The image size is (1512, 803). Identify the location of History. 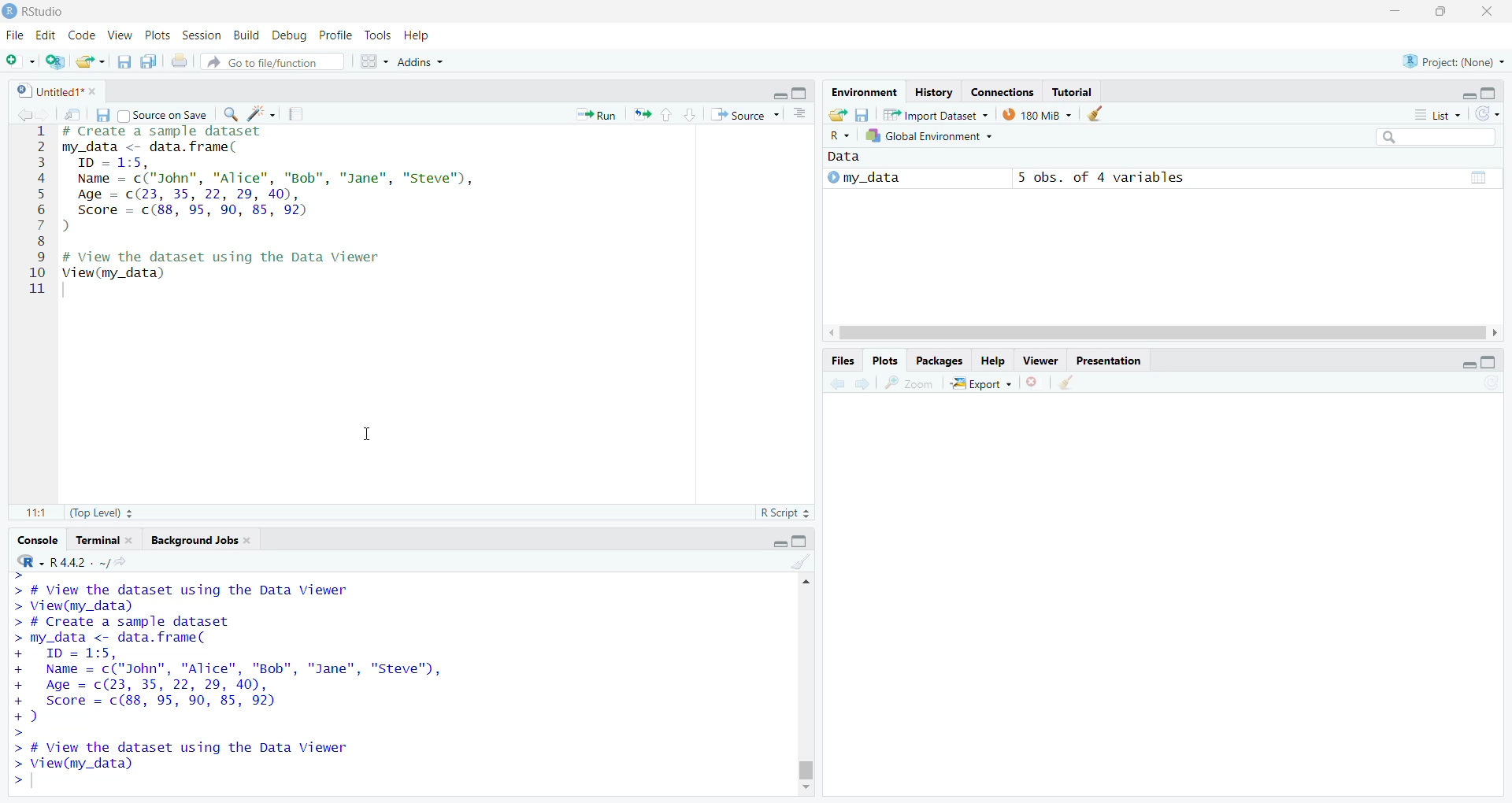
(932, 94).